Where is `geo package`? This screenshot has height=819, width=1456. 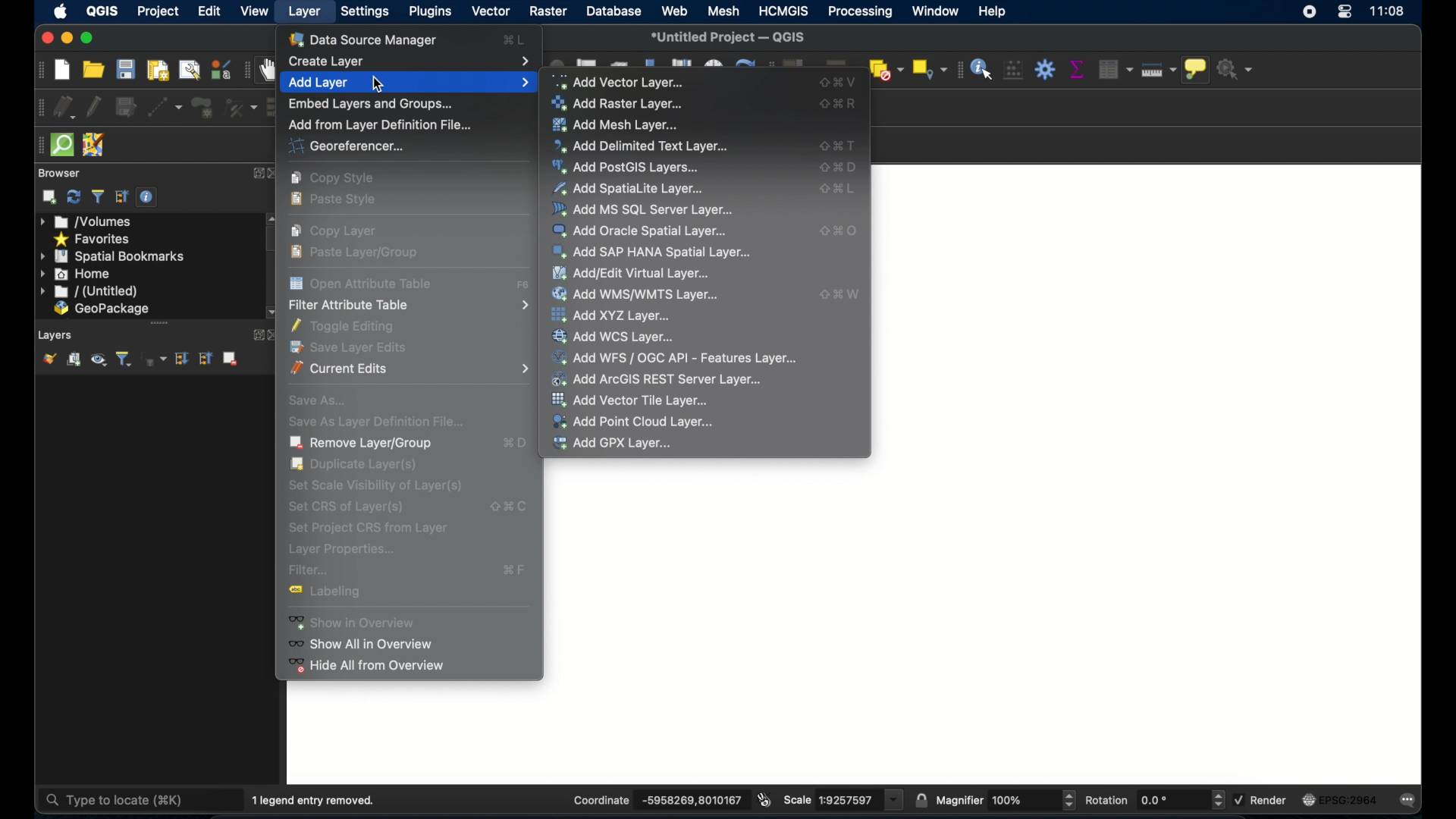 geo package is located at coordinates (101, 309).